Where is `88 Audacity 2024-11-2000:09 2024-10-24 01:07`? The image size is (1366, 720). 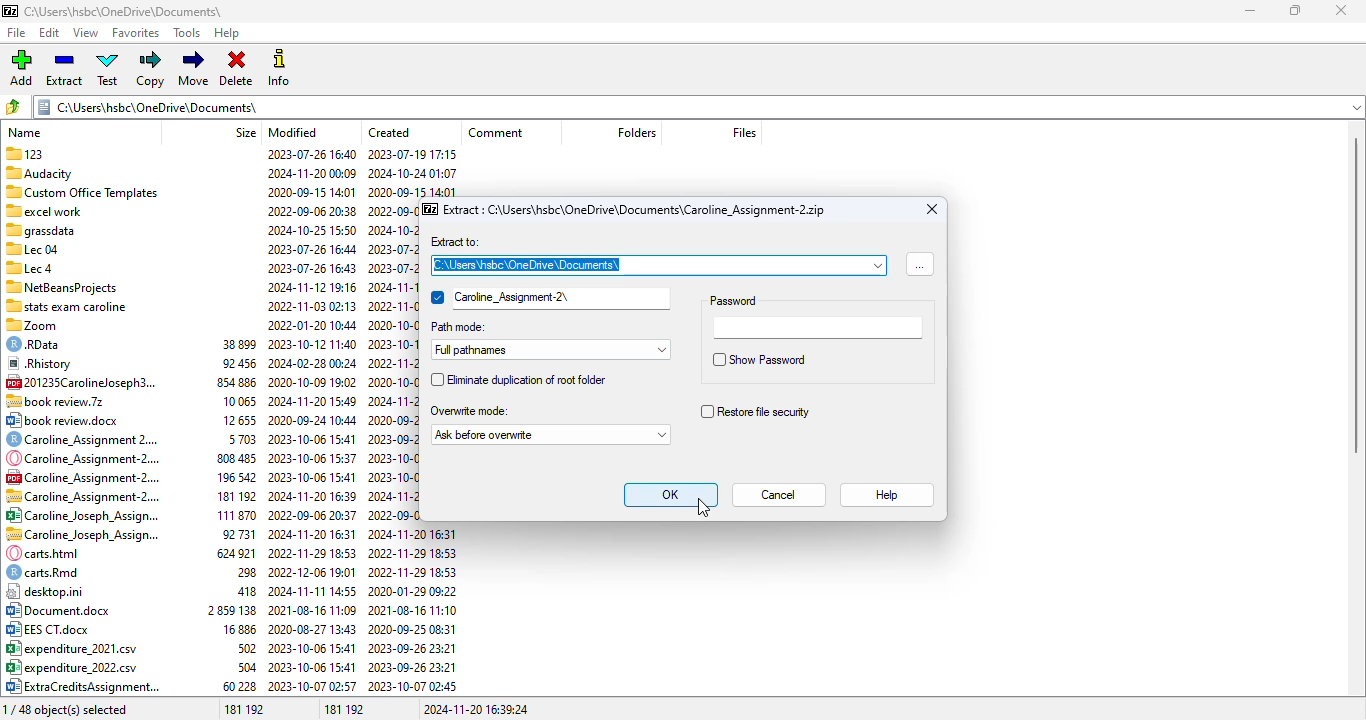 88 Audacity 2024-11-2000:09 2024-10-24 01:07 is located at coordinates (231, 171).